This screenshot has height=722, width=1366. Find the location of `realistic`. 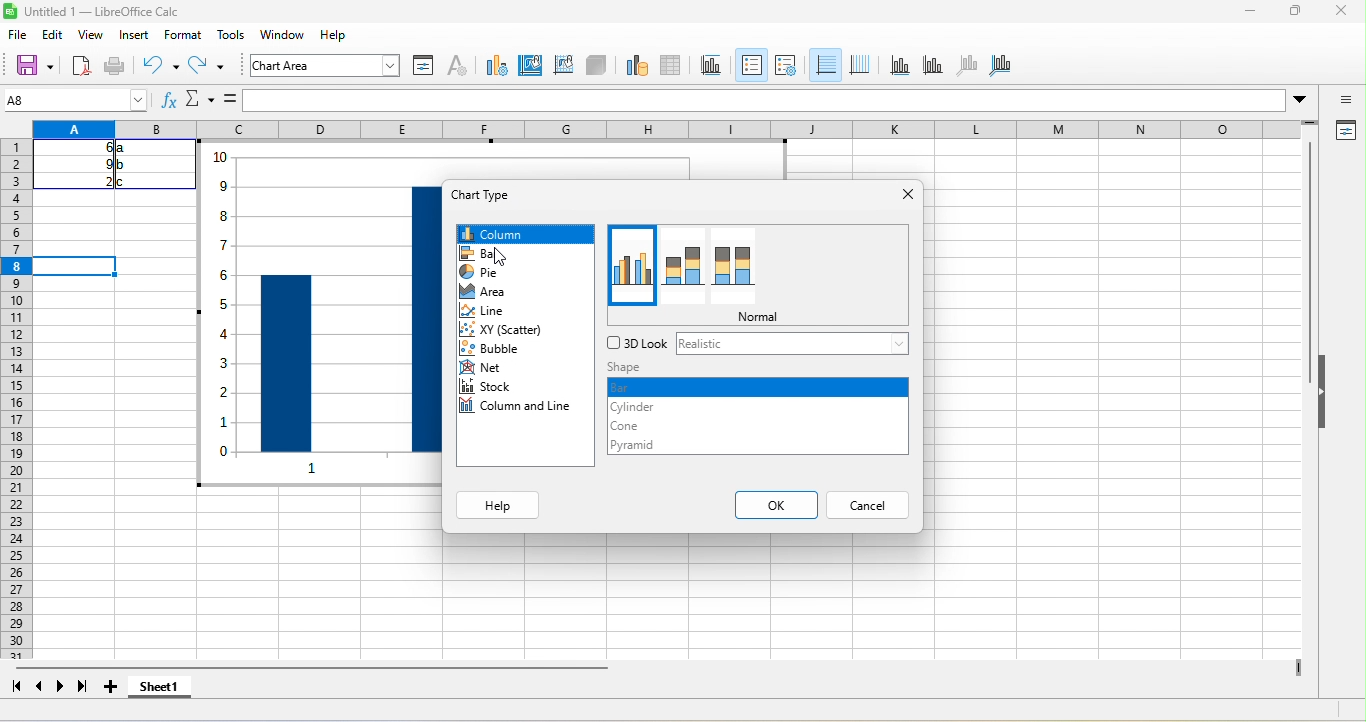

realistic is located at coordinates (794, 345).